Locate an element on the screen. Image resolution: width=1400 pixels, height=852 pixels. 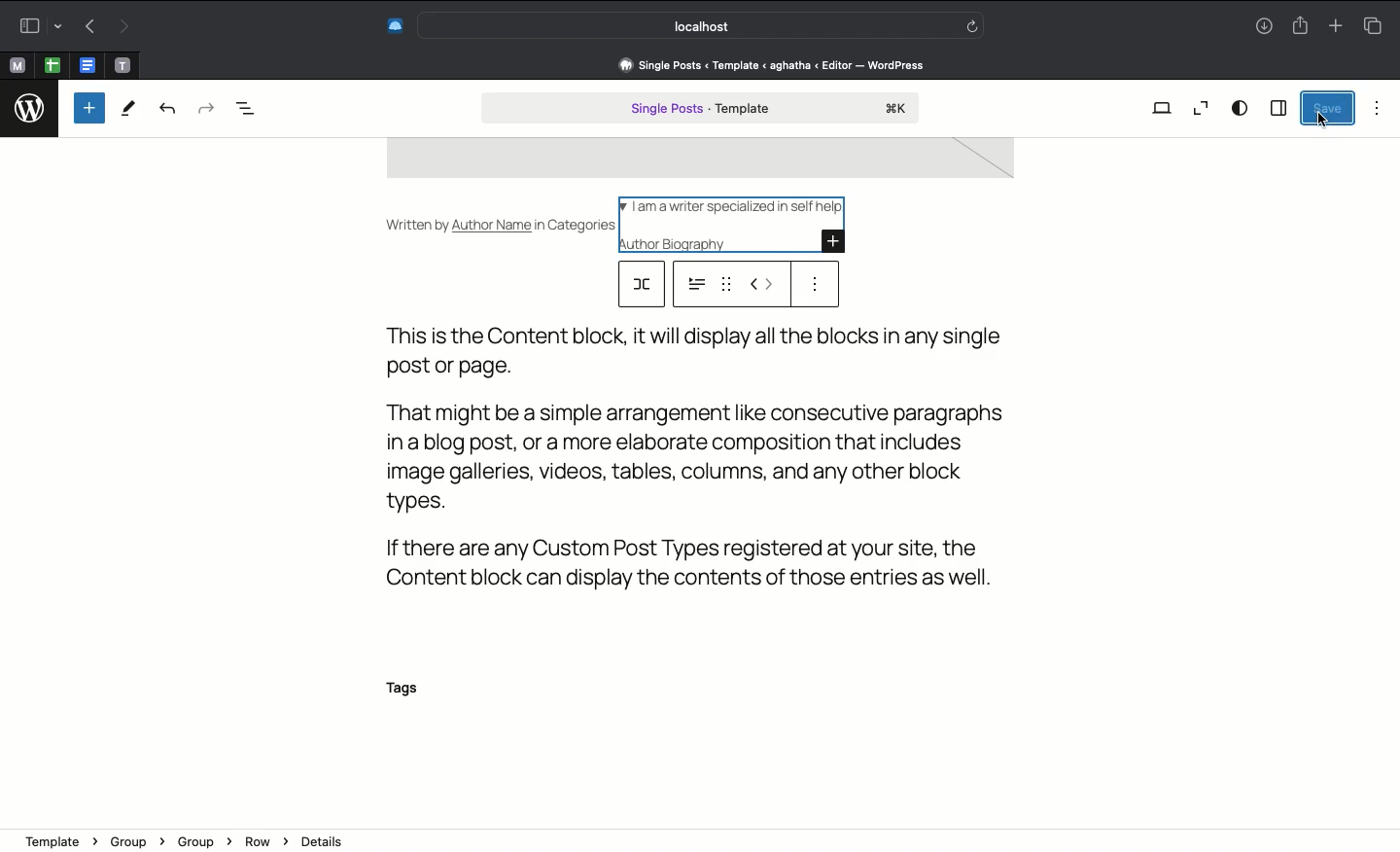
Address is located at coordinates (769, 64).